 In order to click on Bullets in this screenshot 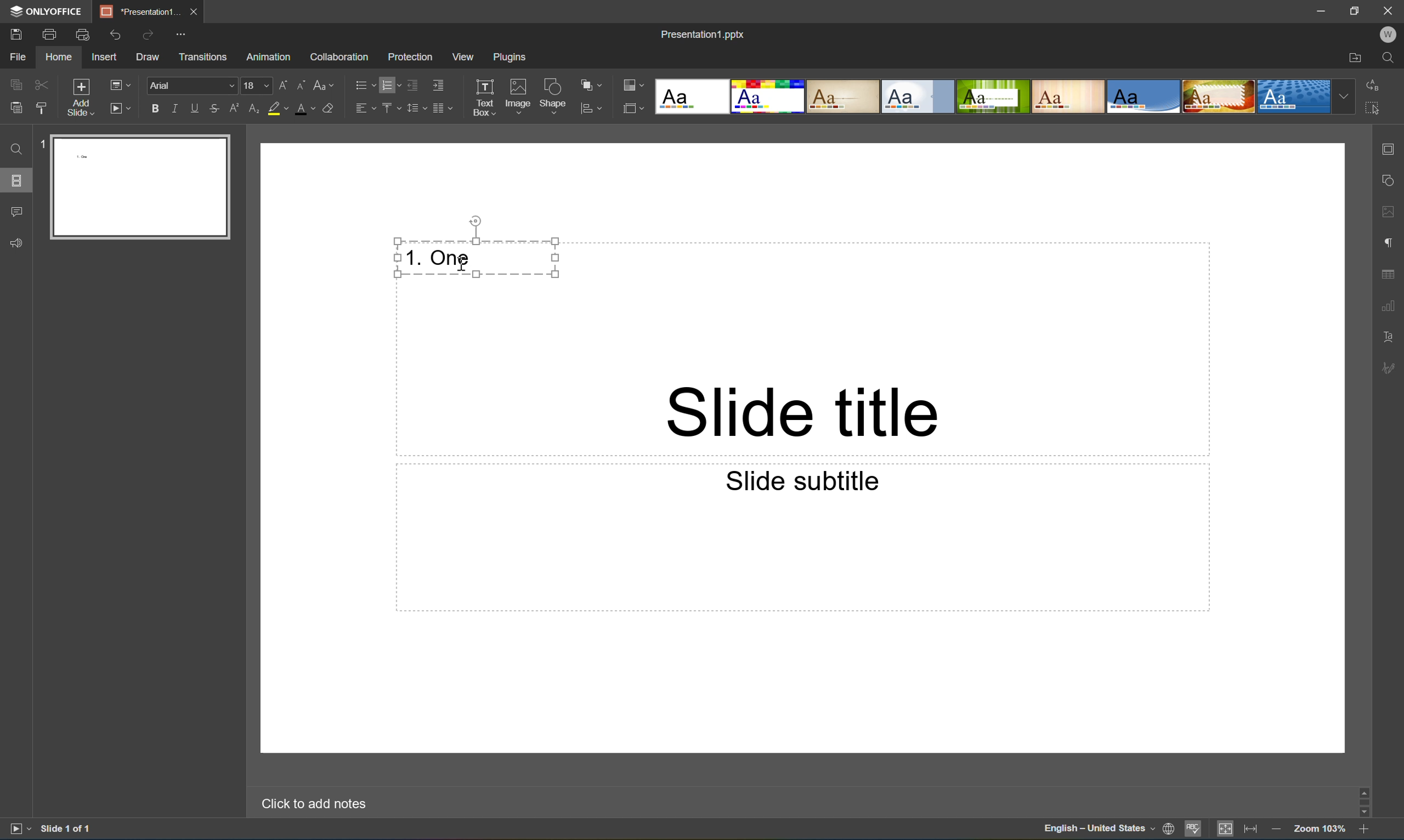, I will do `click(365, 82)`.